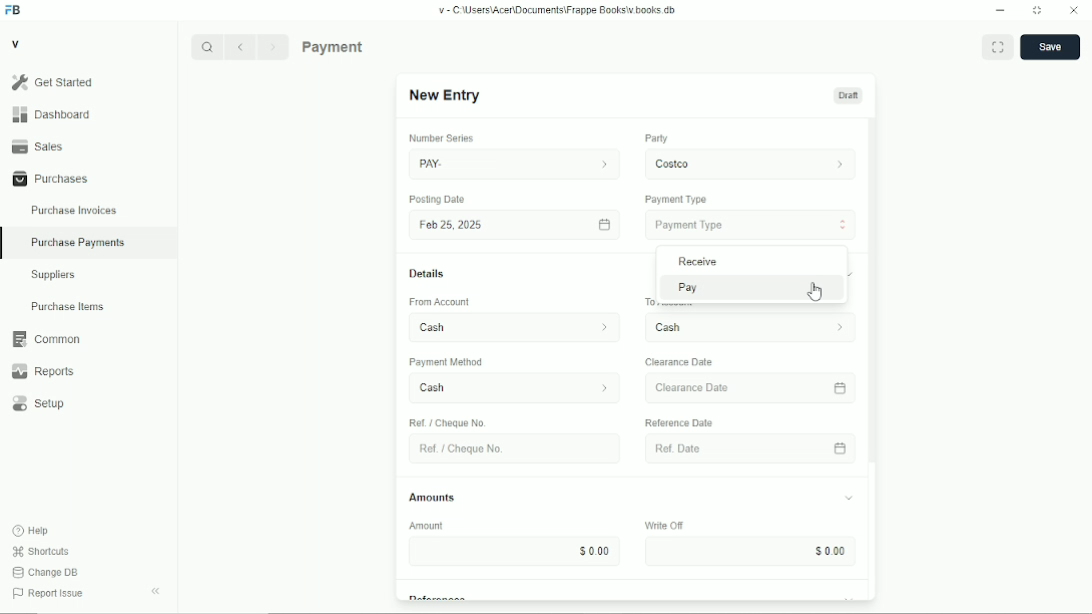  What do you see at coordinates (88, 146) in the screenshot?
I see `Sales` at bounding box center [88, 146].